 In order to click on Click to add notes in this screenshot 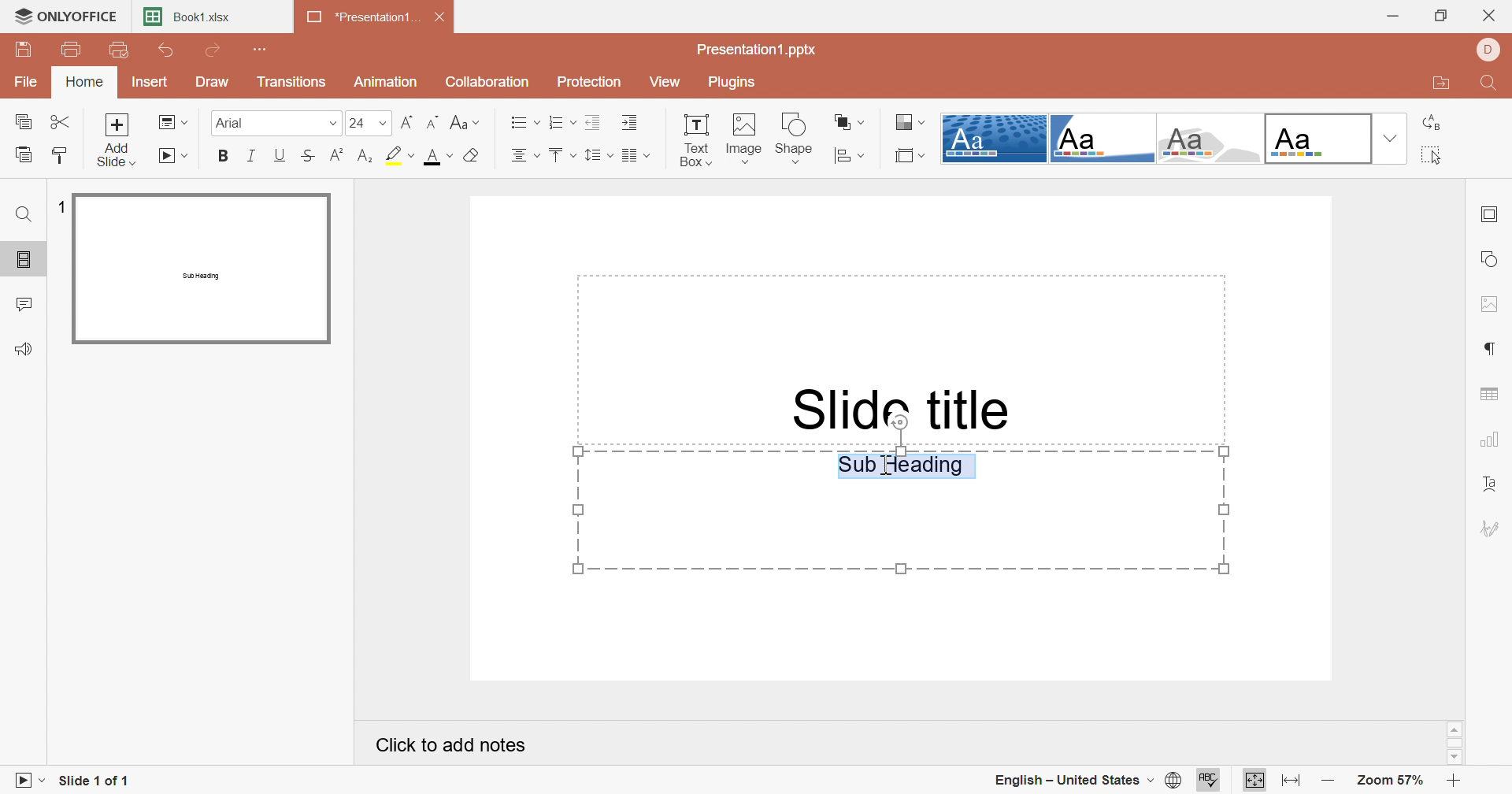, I will do `click(445, 743)`.